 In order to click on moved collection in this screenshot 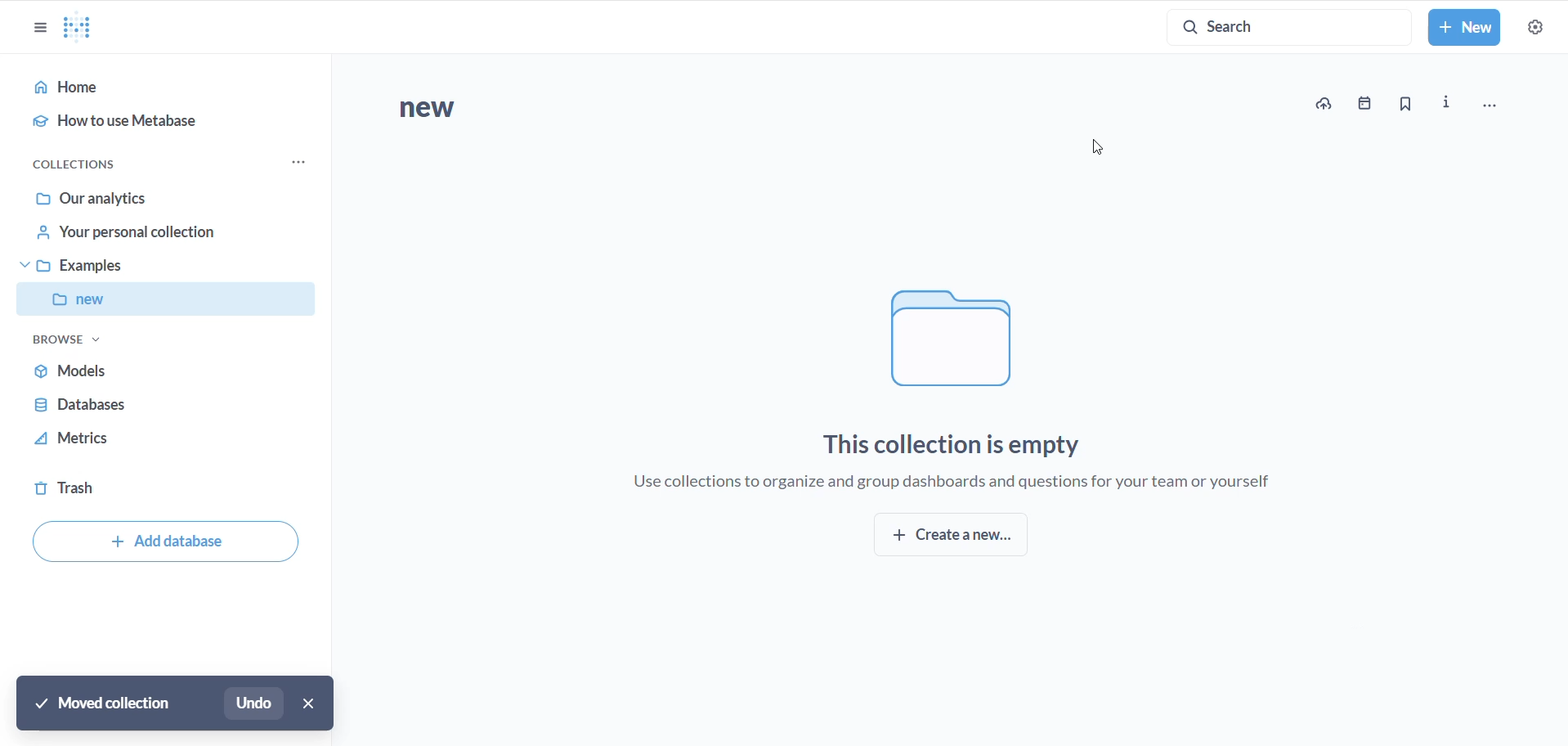, I will do `click(105, 703)`.